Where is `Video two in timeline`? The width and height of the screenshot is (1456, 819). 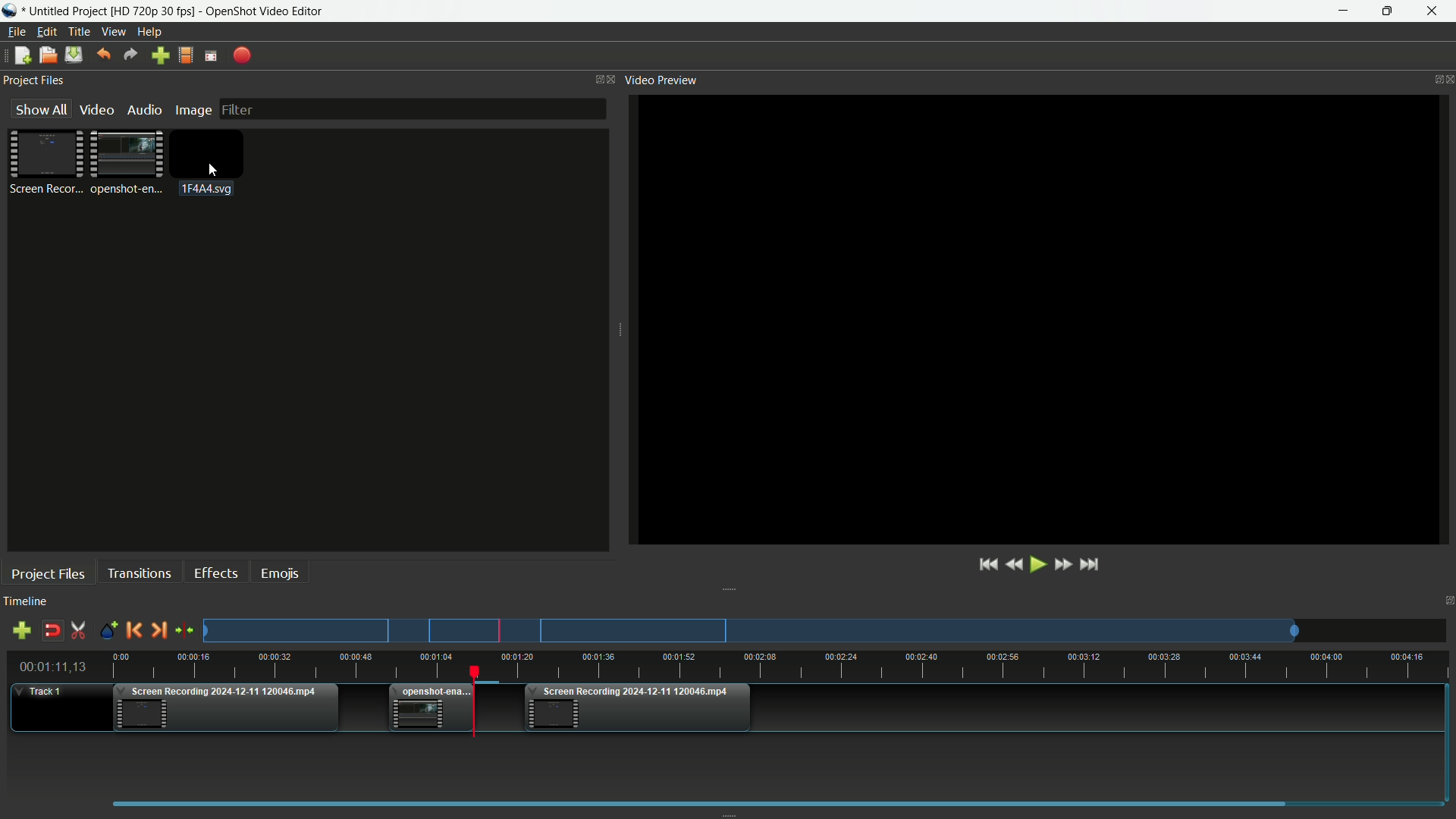
Video two in timeline is located at coordinates (431, 708).